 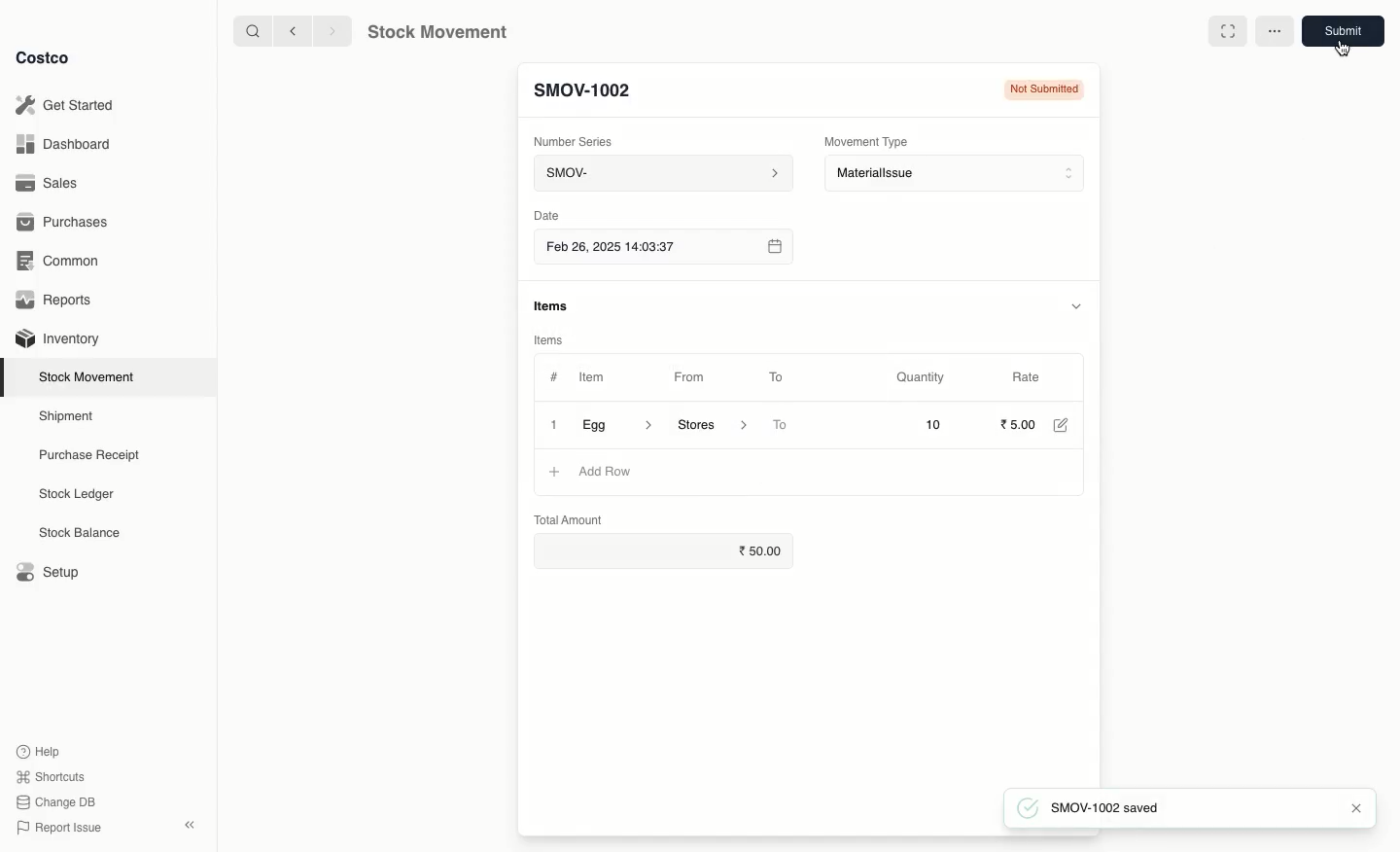 I want to click on #, so click(x=554, y=377).